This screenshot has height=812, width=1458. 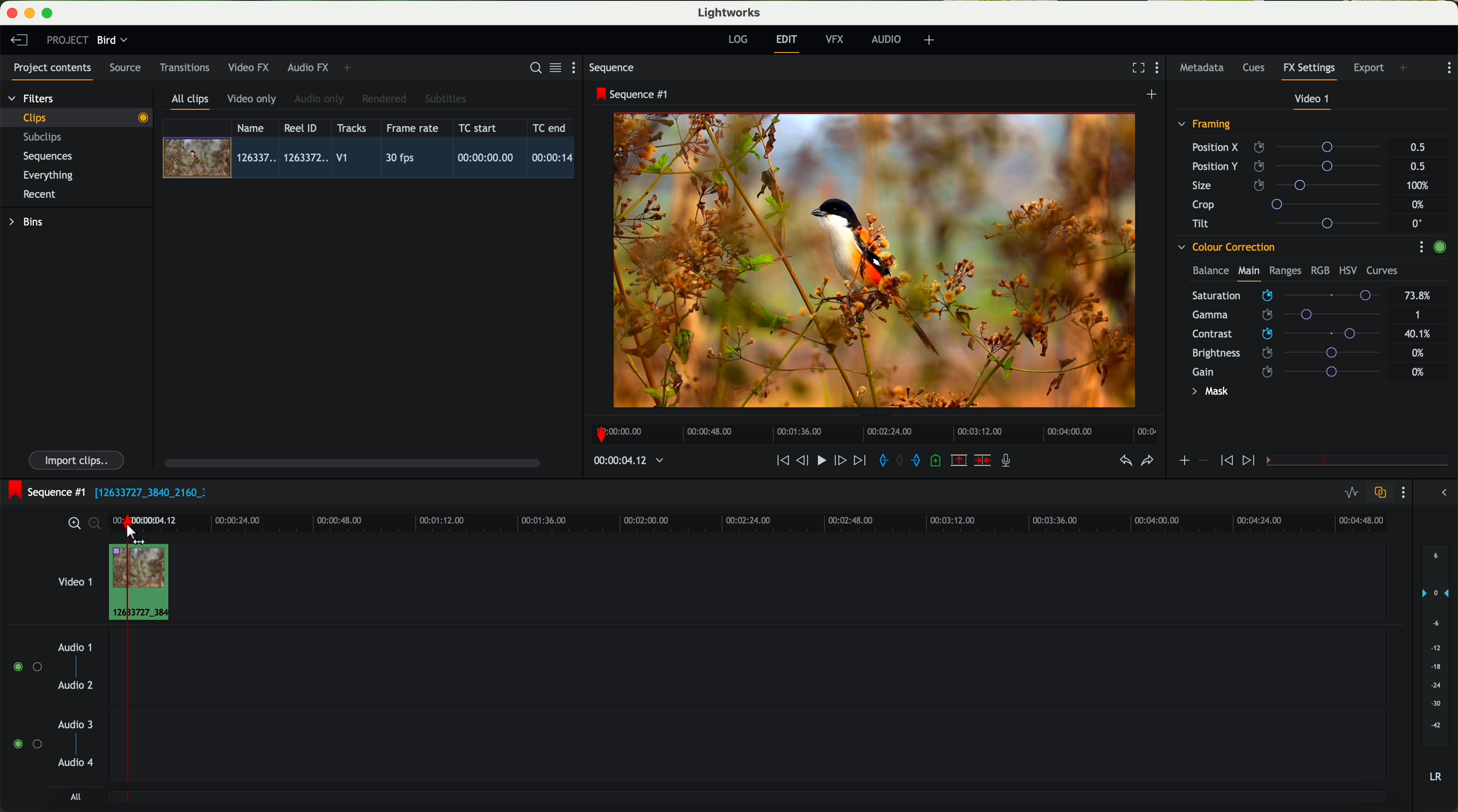 What do you see at coordinates (1293, 371) in the screenshot?
I see `gain` at bounding box center [1293, 371].